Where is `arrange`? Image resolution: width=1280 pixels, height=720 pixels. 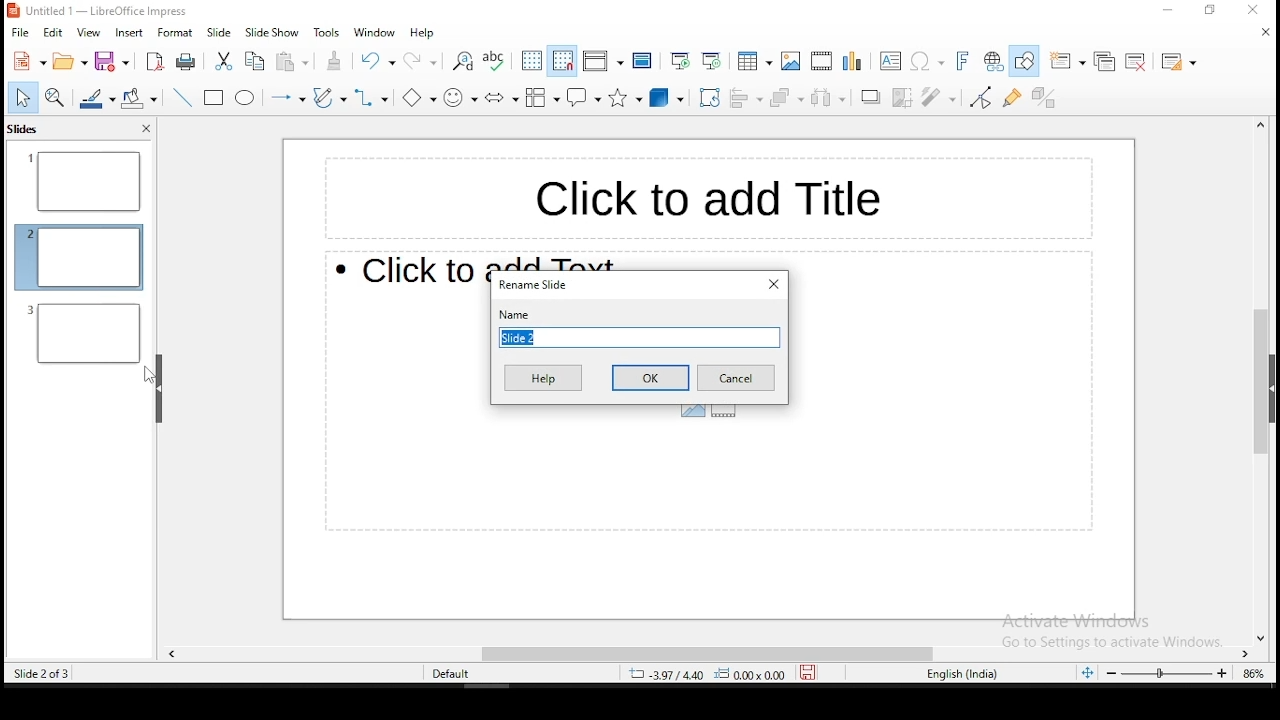 arrange is located at coordinates (788, 98).